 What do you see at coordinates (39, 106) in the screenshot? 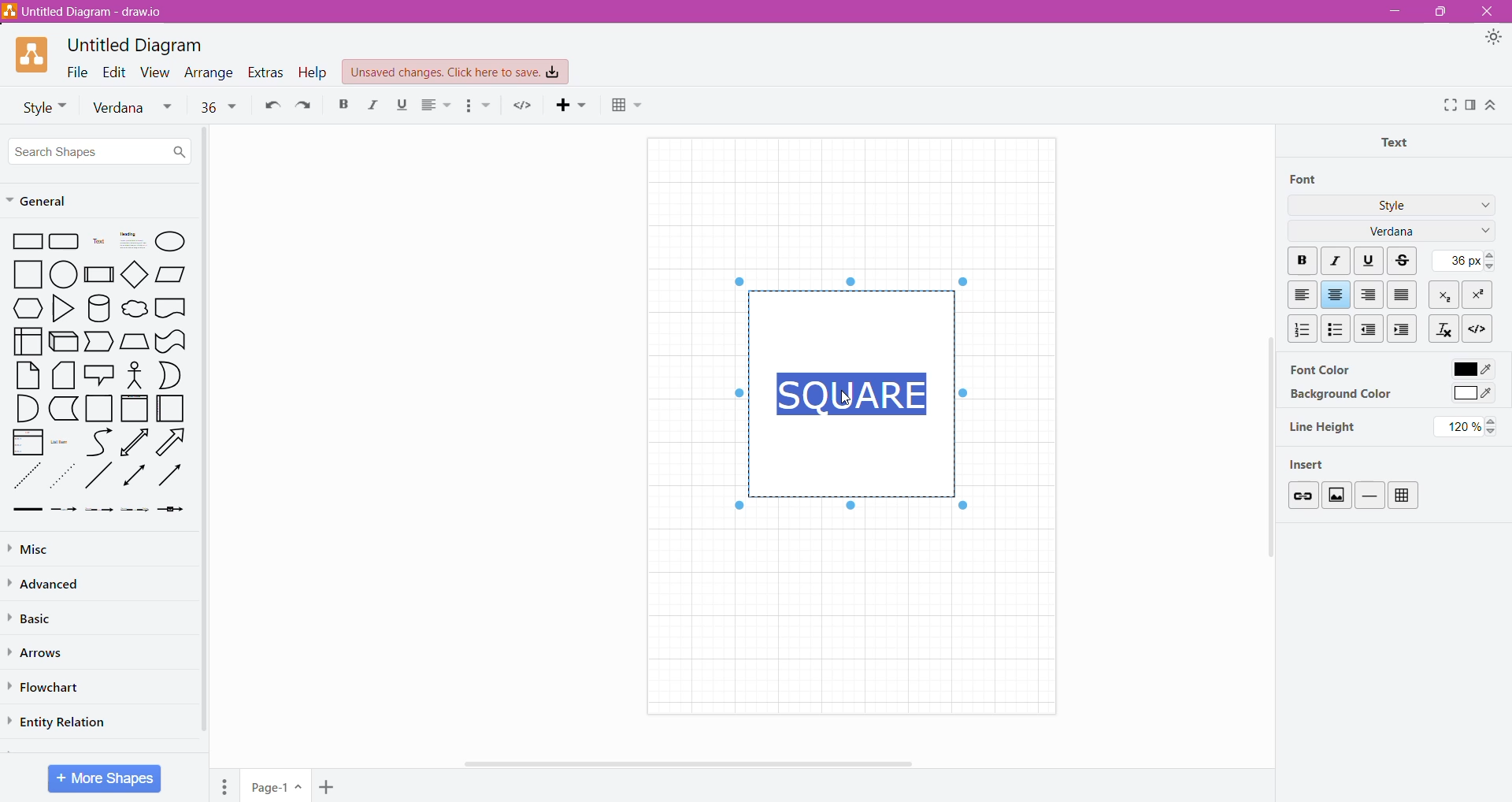
I see `Font style` at bounding box center [39, 106].